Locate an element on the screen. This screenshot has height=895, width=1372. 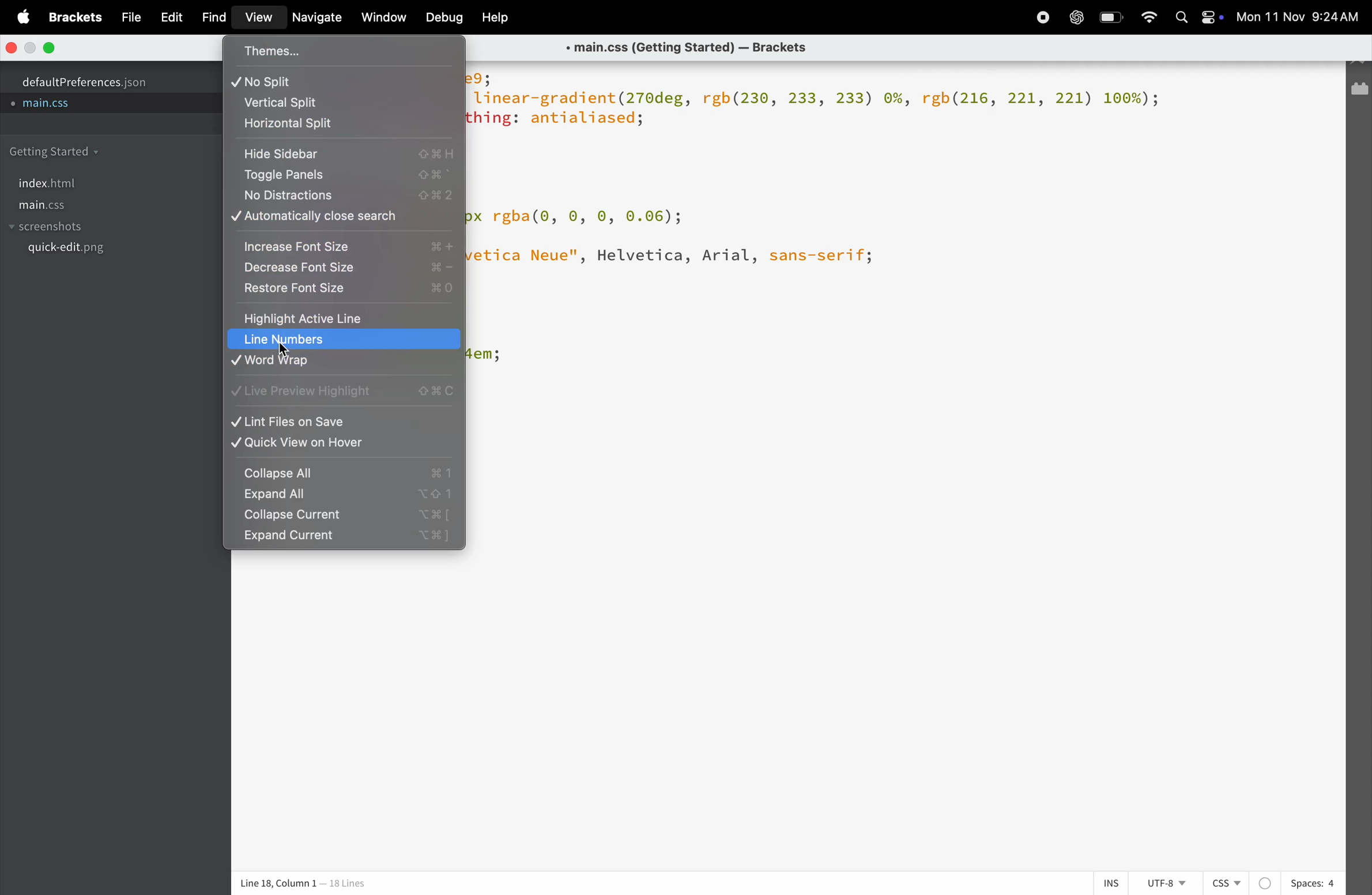
cursor is located at coordinates (287, 348).